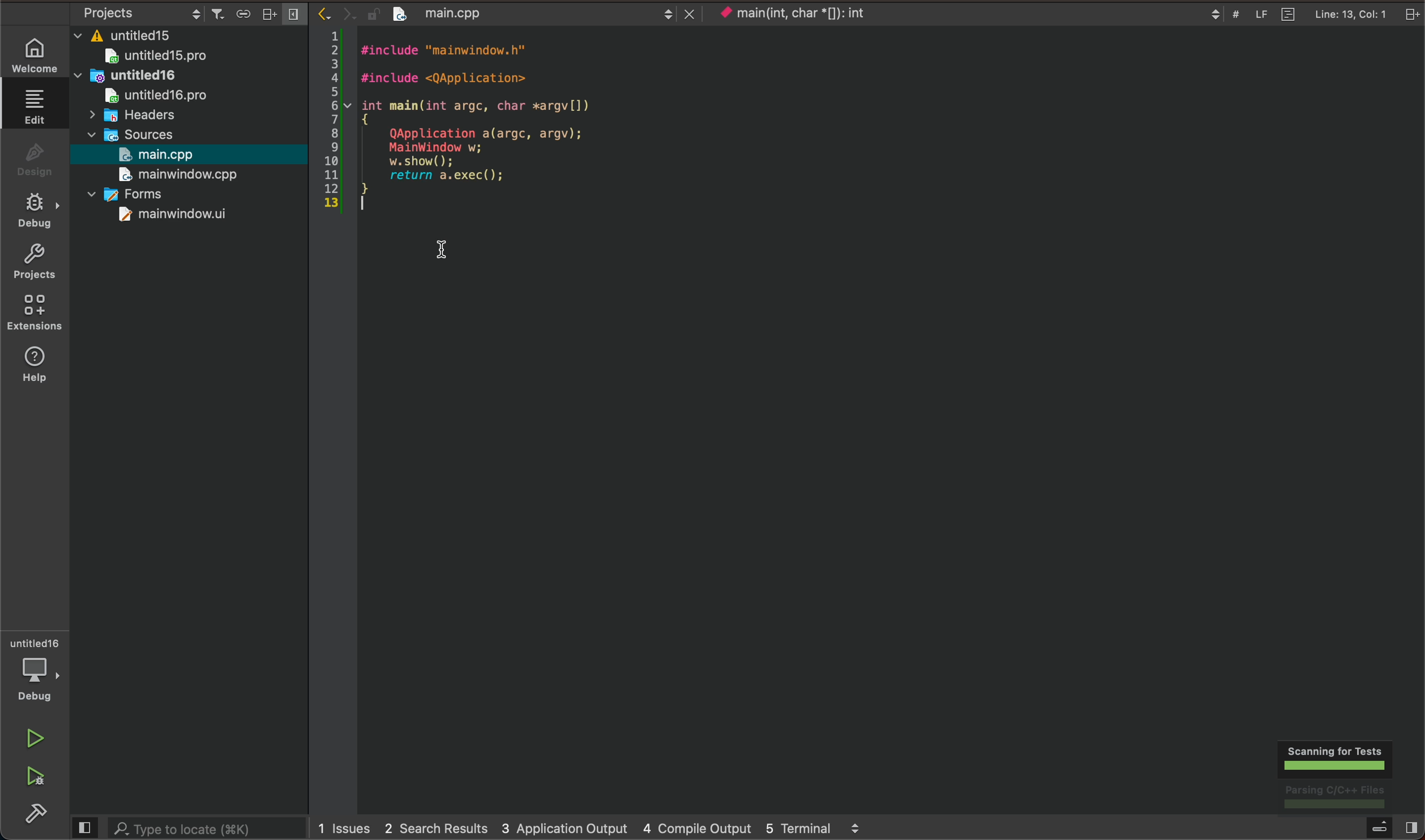 Image resolution: width=1425 pixels, height=840 pixels. What do you see at coordinates (40, 265) in the screenshot?
I see `projects` at bounding box center [40, 265].